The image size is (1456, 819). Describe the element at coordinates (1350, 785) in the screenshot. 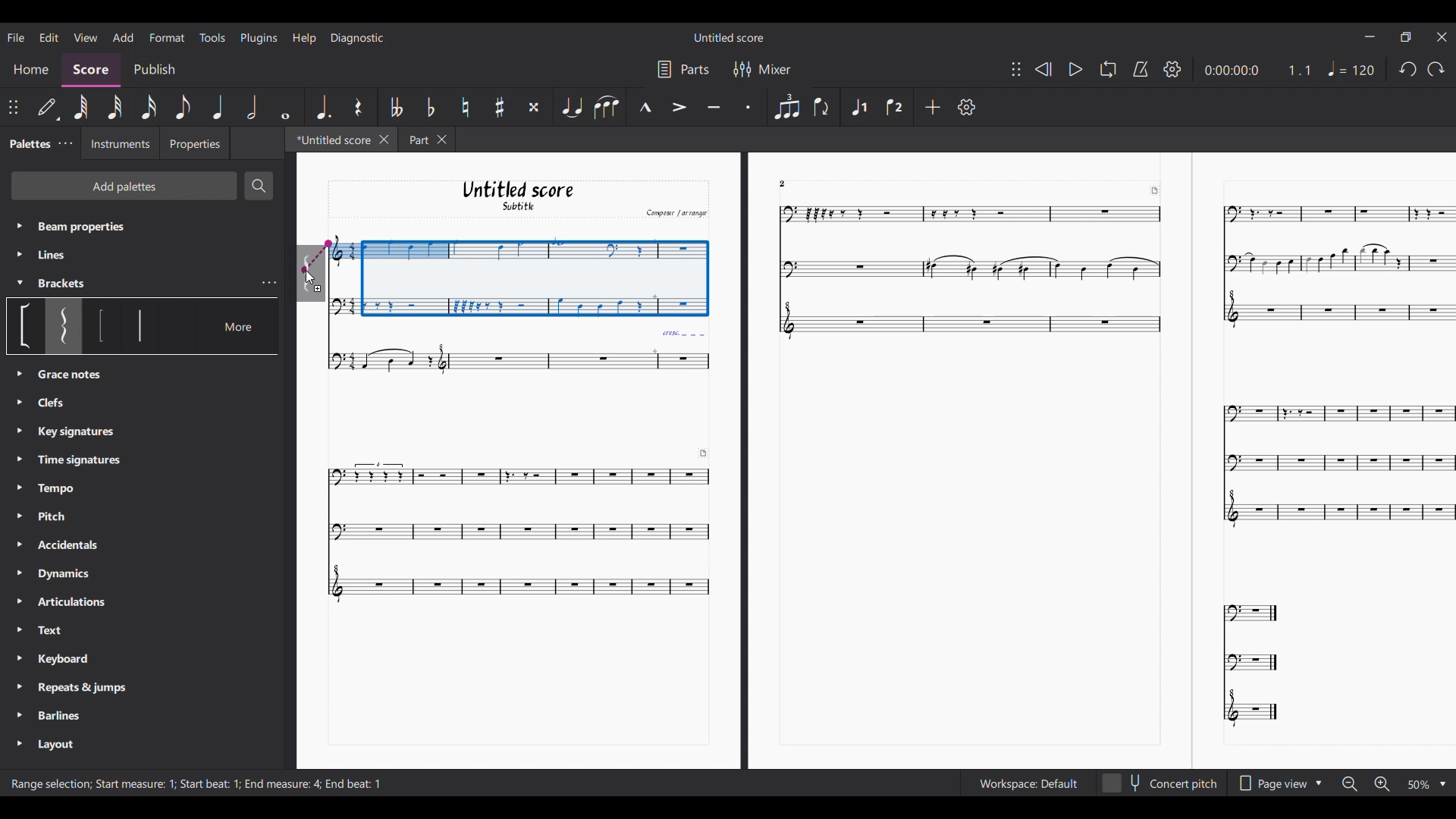

I see `Zoom out` at that location.